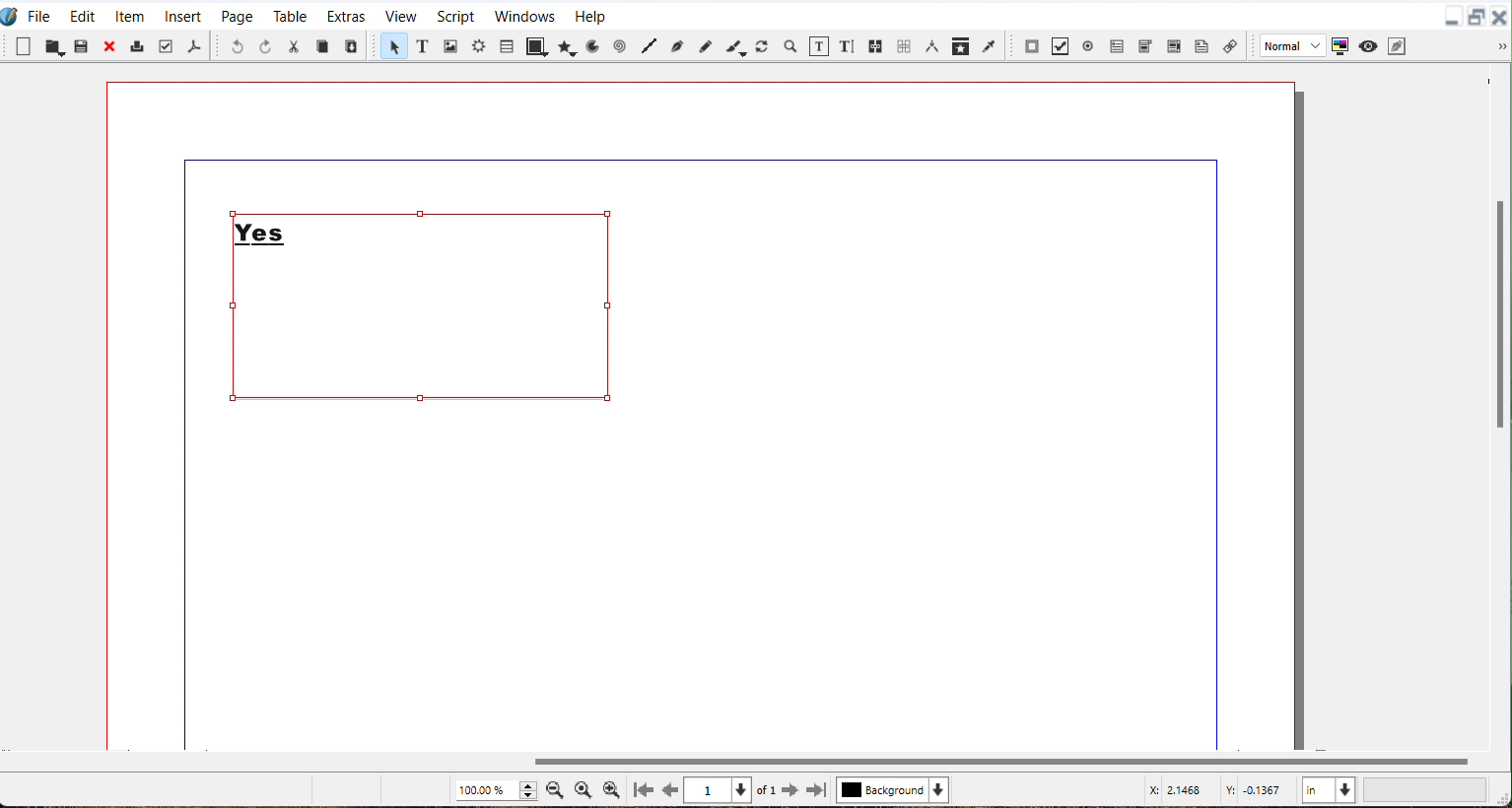 The image size is (1512, 808). Describe the element at coordinates (697, 160) in the screenshot. I see `top margin` at that location.